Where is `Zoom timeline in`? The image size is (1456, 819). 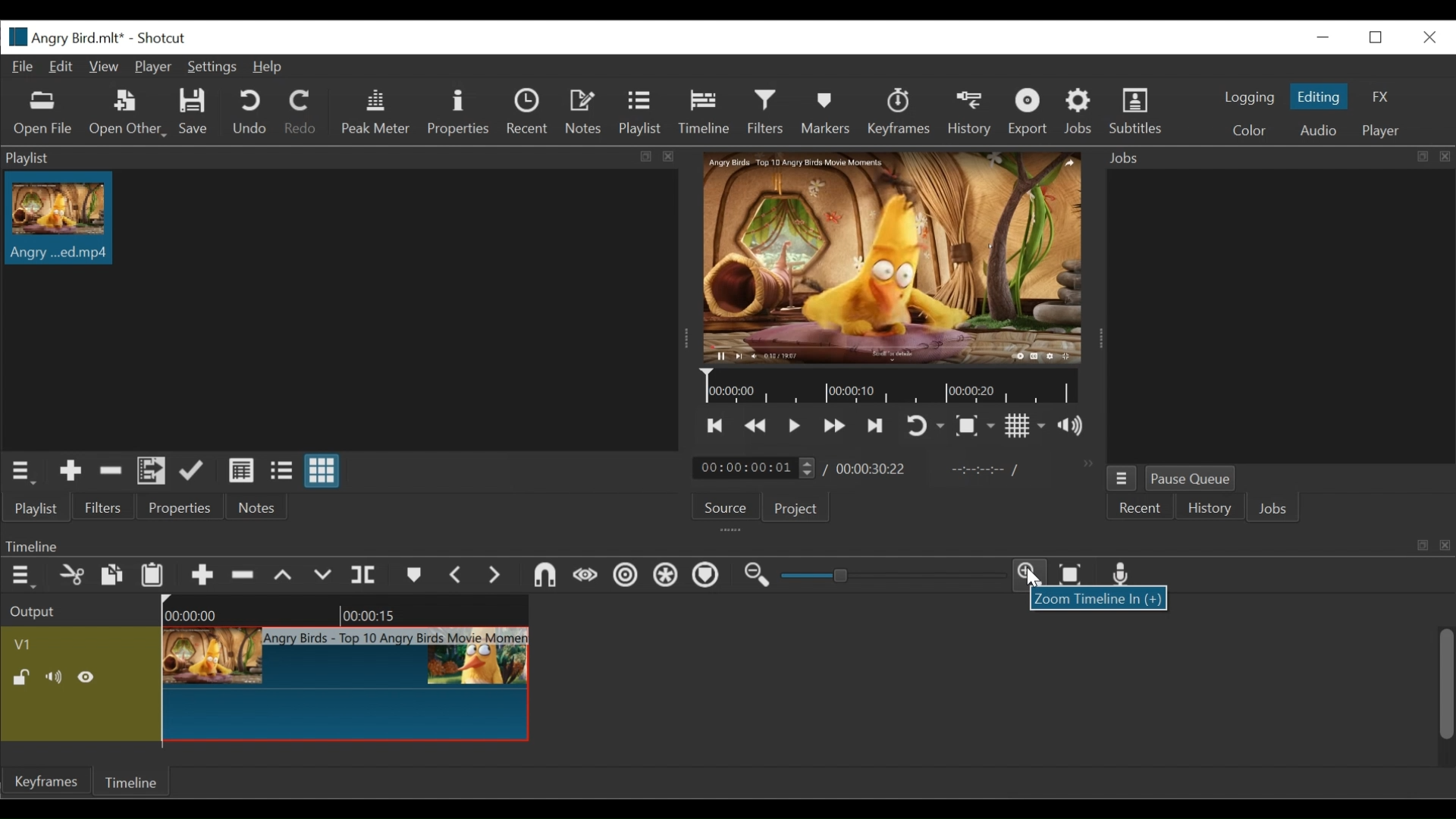
Zoom timeline in is located at coordinates (1032, 577).